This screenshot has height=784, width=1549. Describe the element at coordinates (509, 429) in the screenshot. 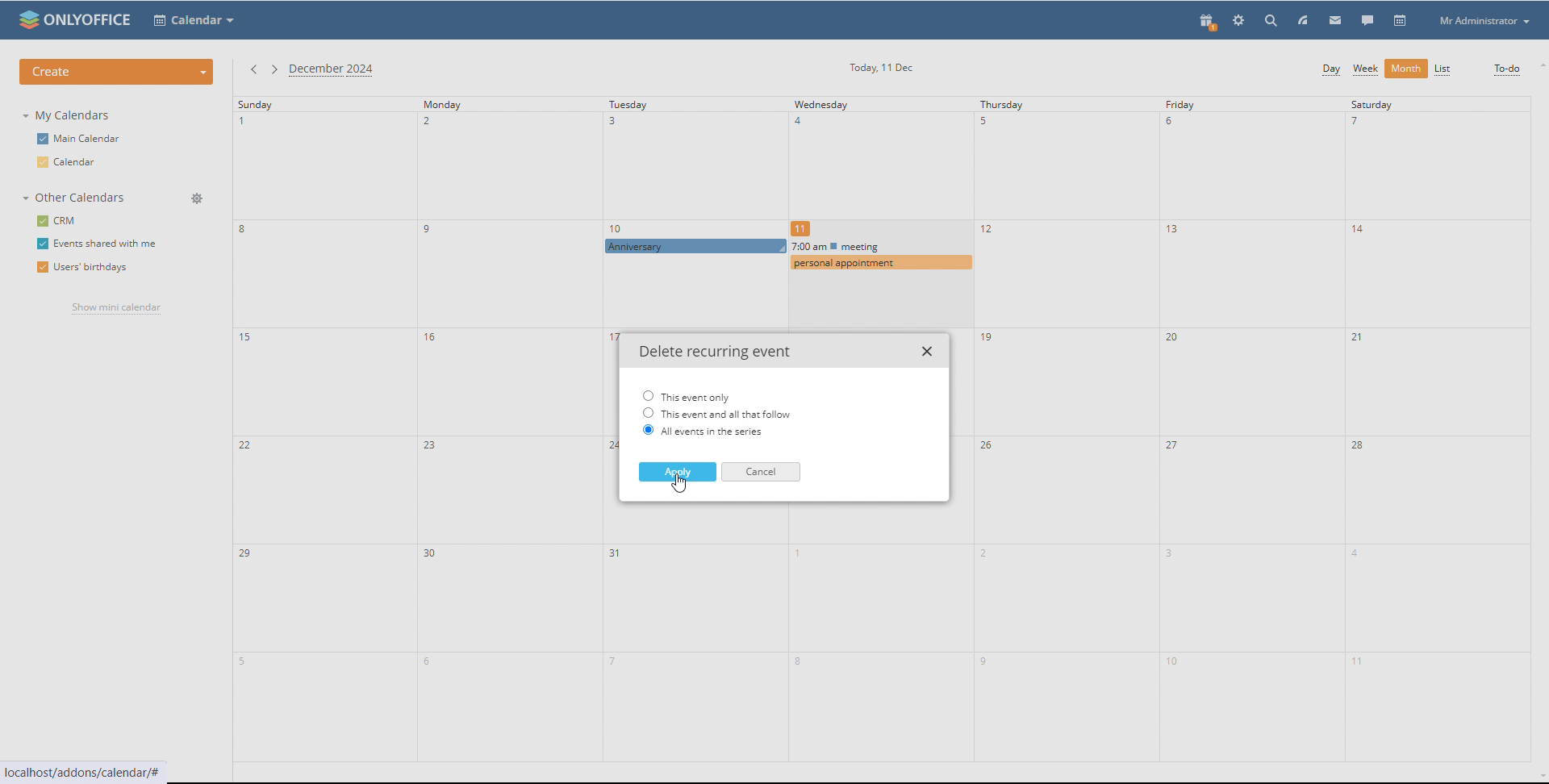

I see `monday` at that location.